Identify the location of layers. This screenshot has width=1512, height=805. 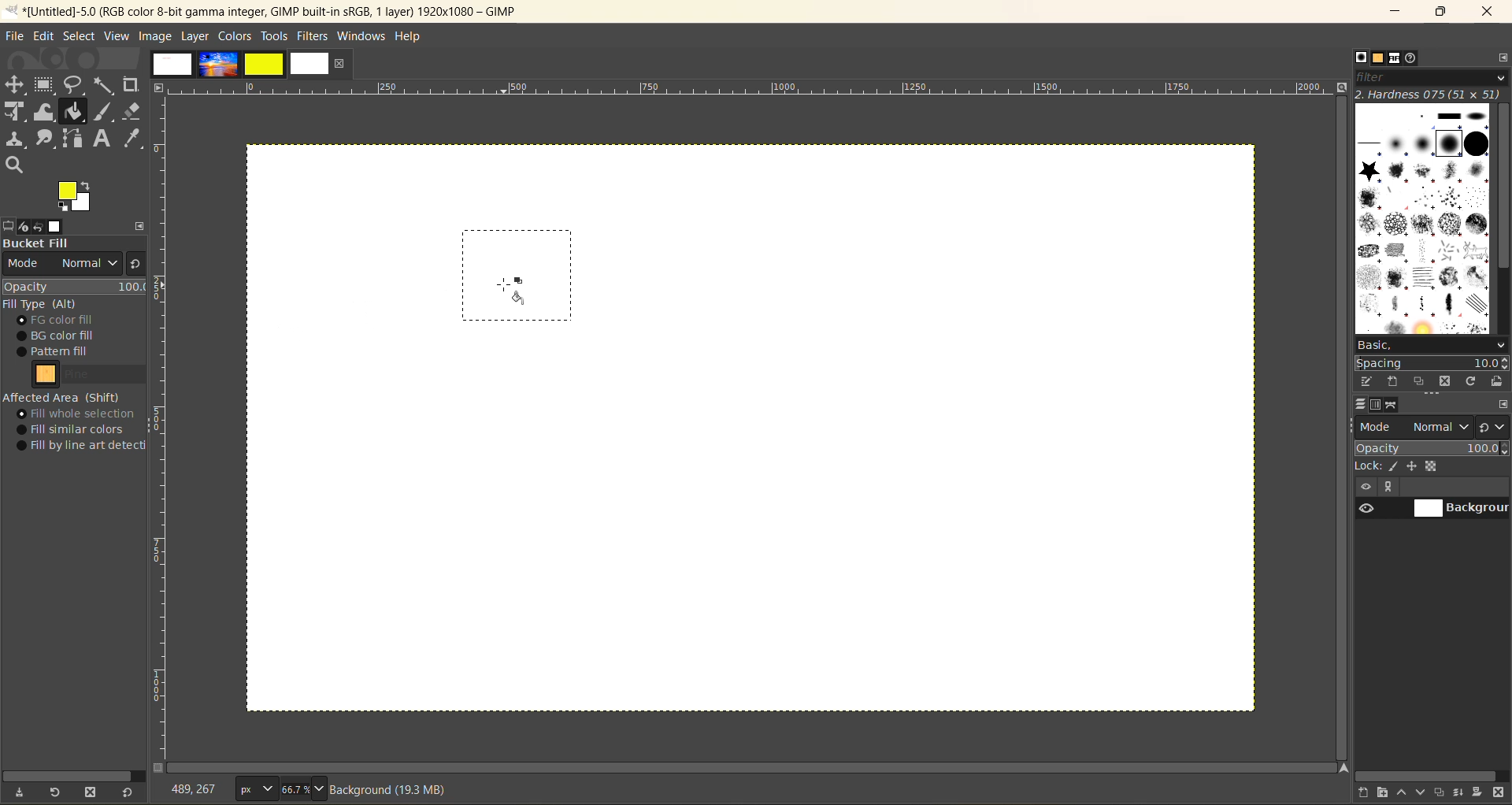
(1363, 406).